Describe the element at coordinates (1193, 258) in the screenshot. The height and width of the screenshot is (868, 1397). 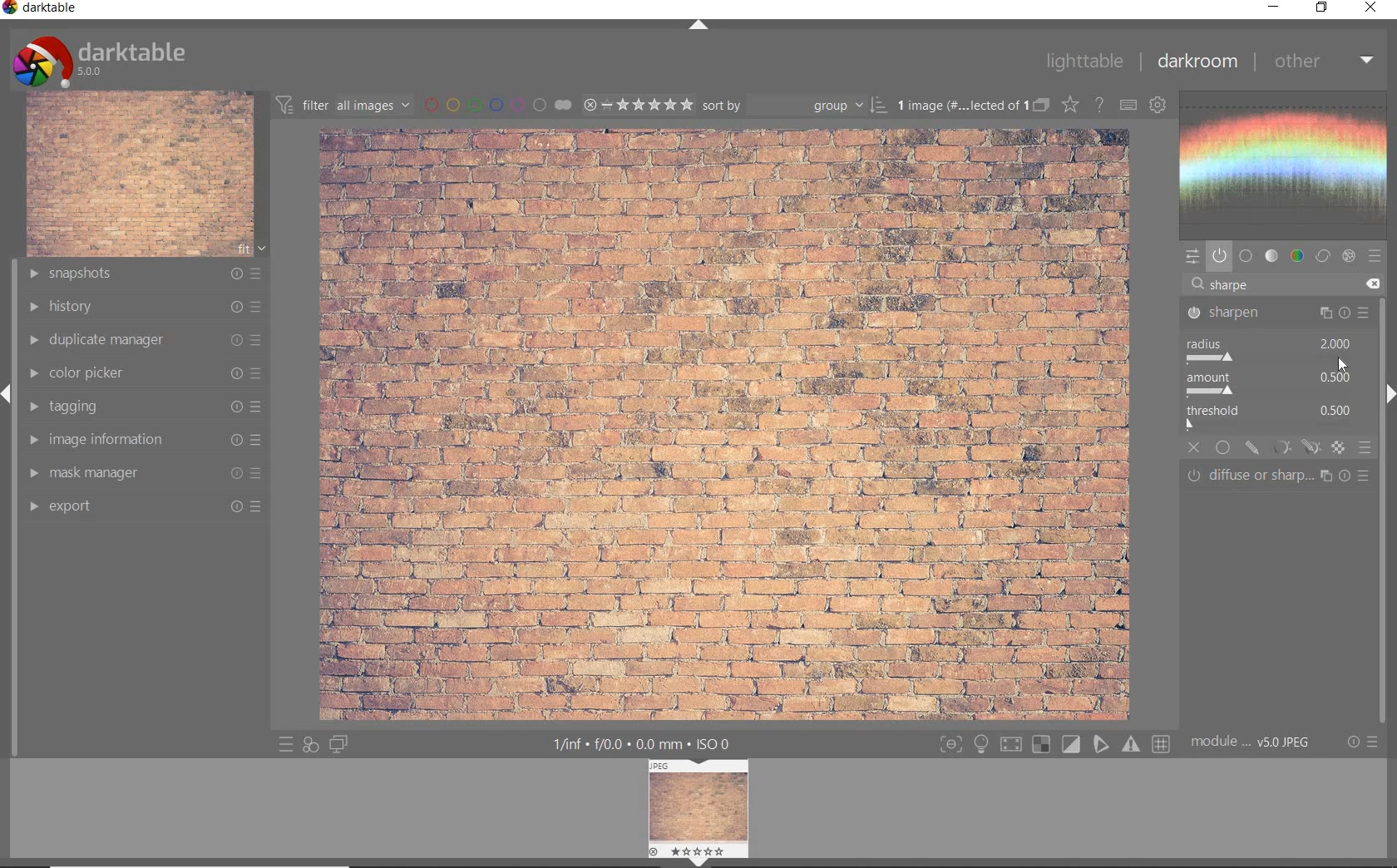
I see `quick access panel` at that location.